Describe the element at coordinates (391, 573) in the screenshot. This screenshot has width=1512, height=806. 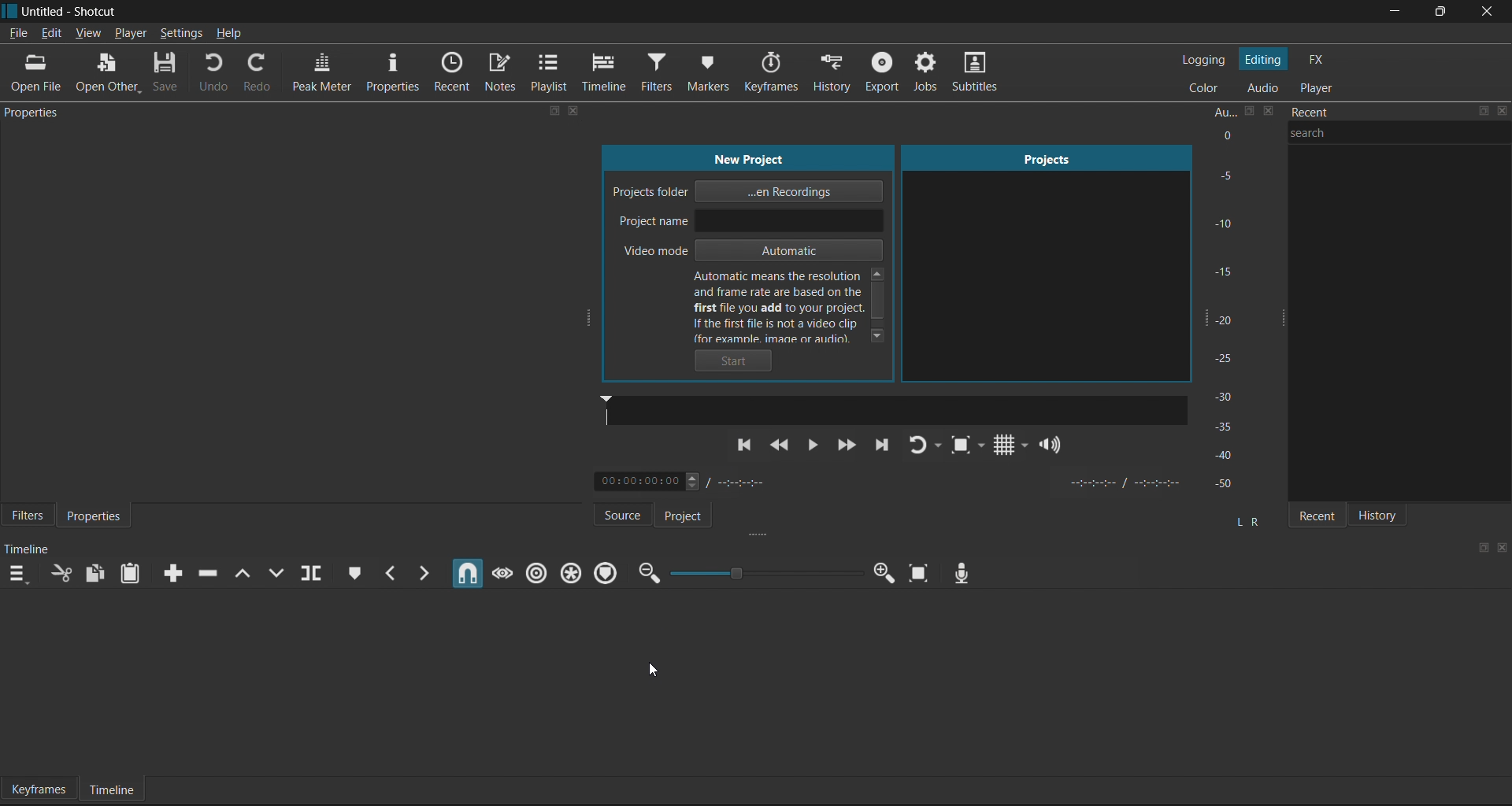
I see `Previous marker` at that location.